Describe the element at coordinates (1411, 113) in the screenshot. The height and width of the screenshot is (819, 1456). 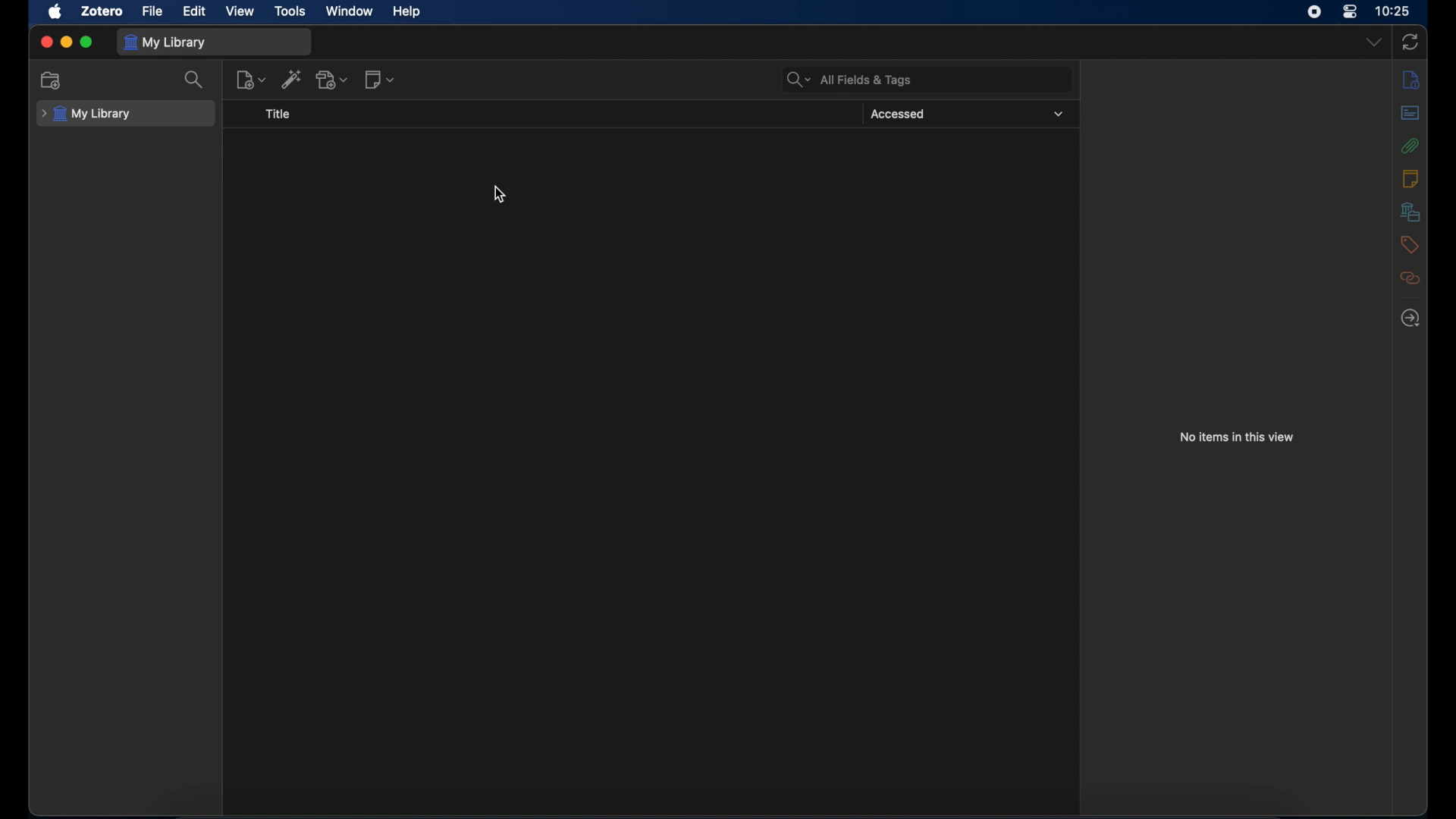
I see `abstract` at that location.